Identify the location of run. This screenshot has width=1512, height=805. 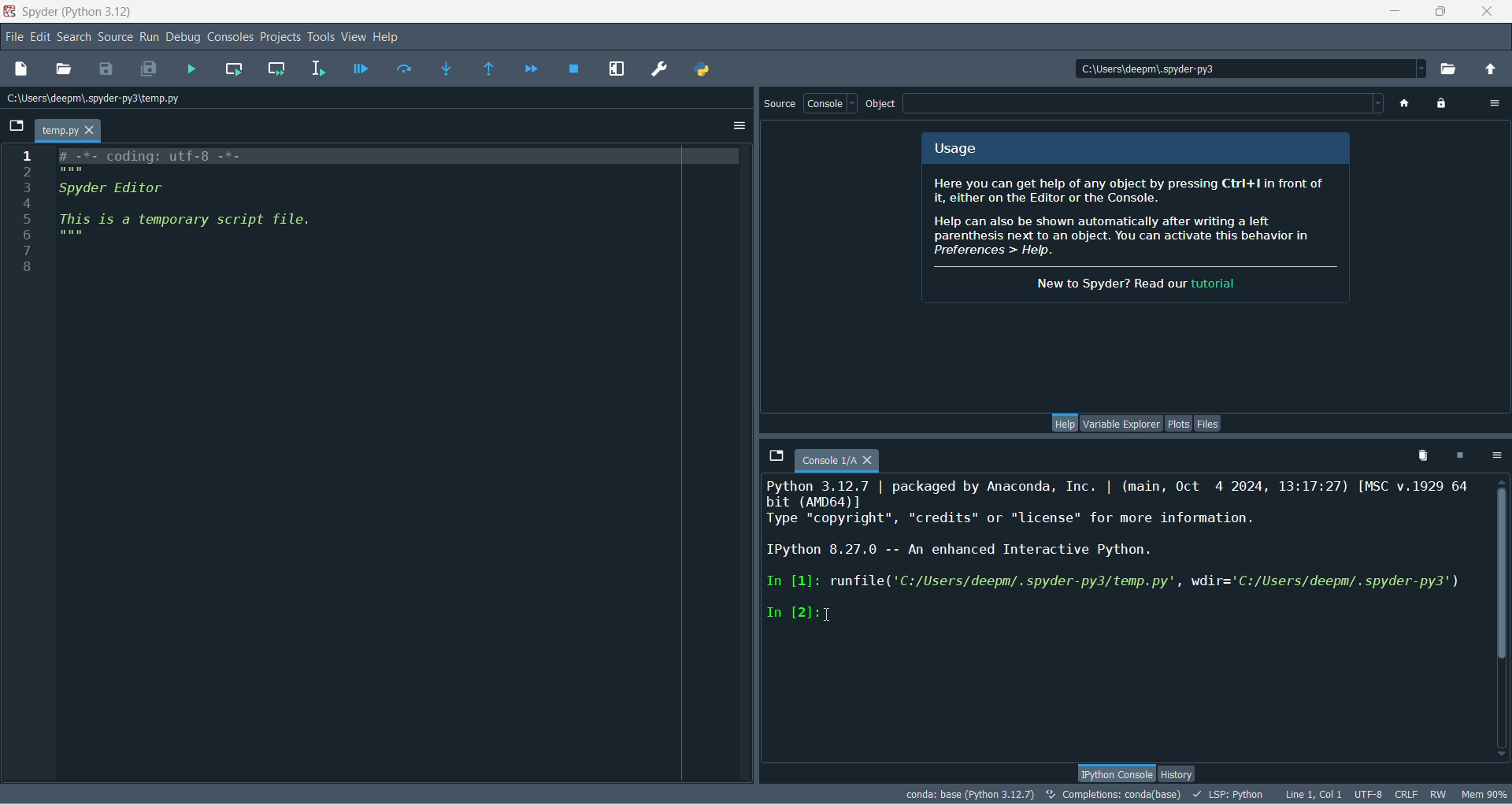
(148, 37).